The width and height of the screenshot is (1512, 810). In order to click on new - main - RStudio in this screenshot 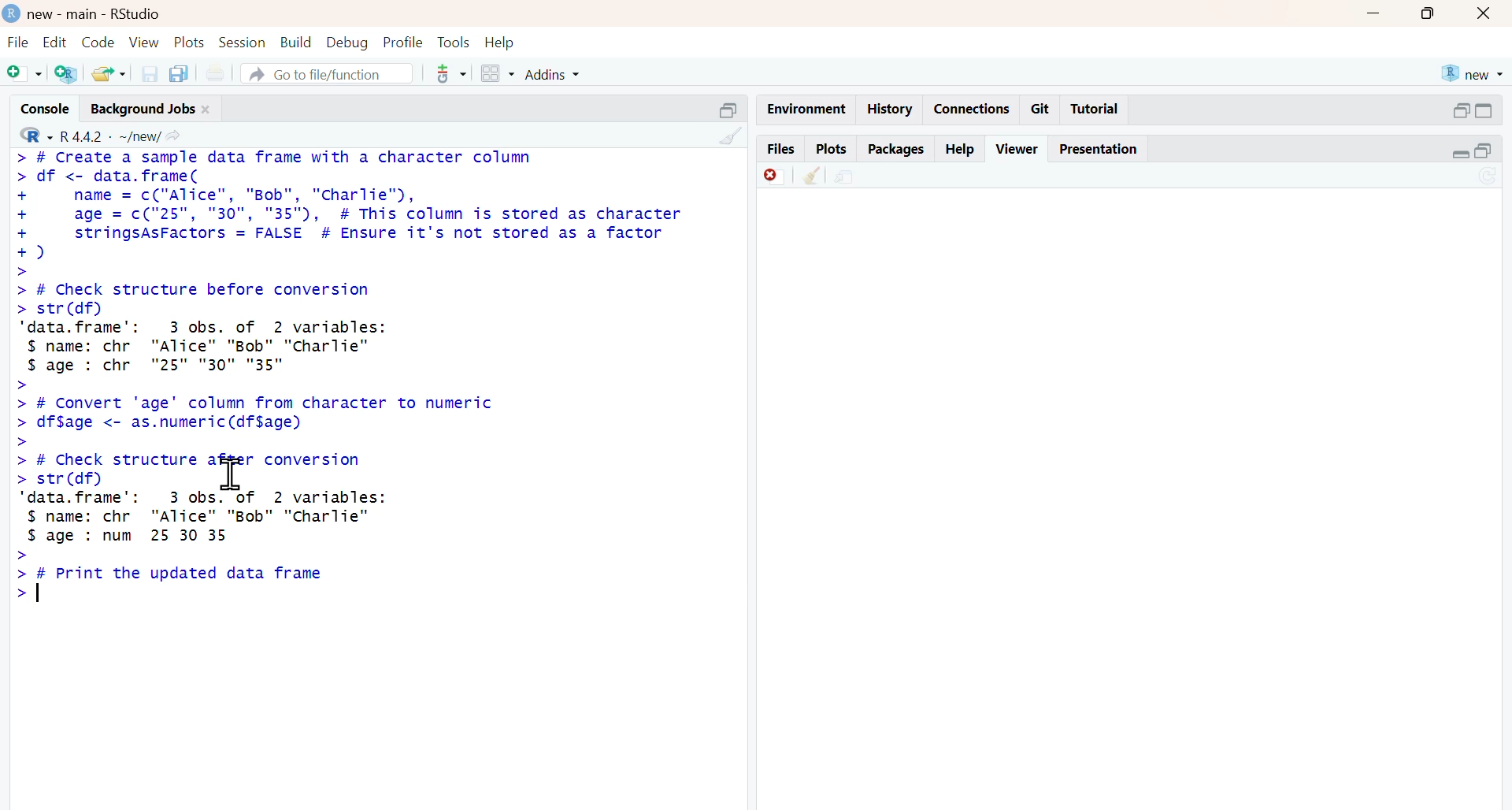, I will do `click(96, 14)`.